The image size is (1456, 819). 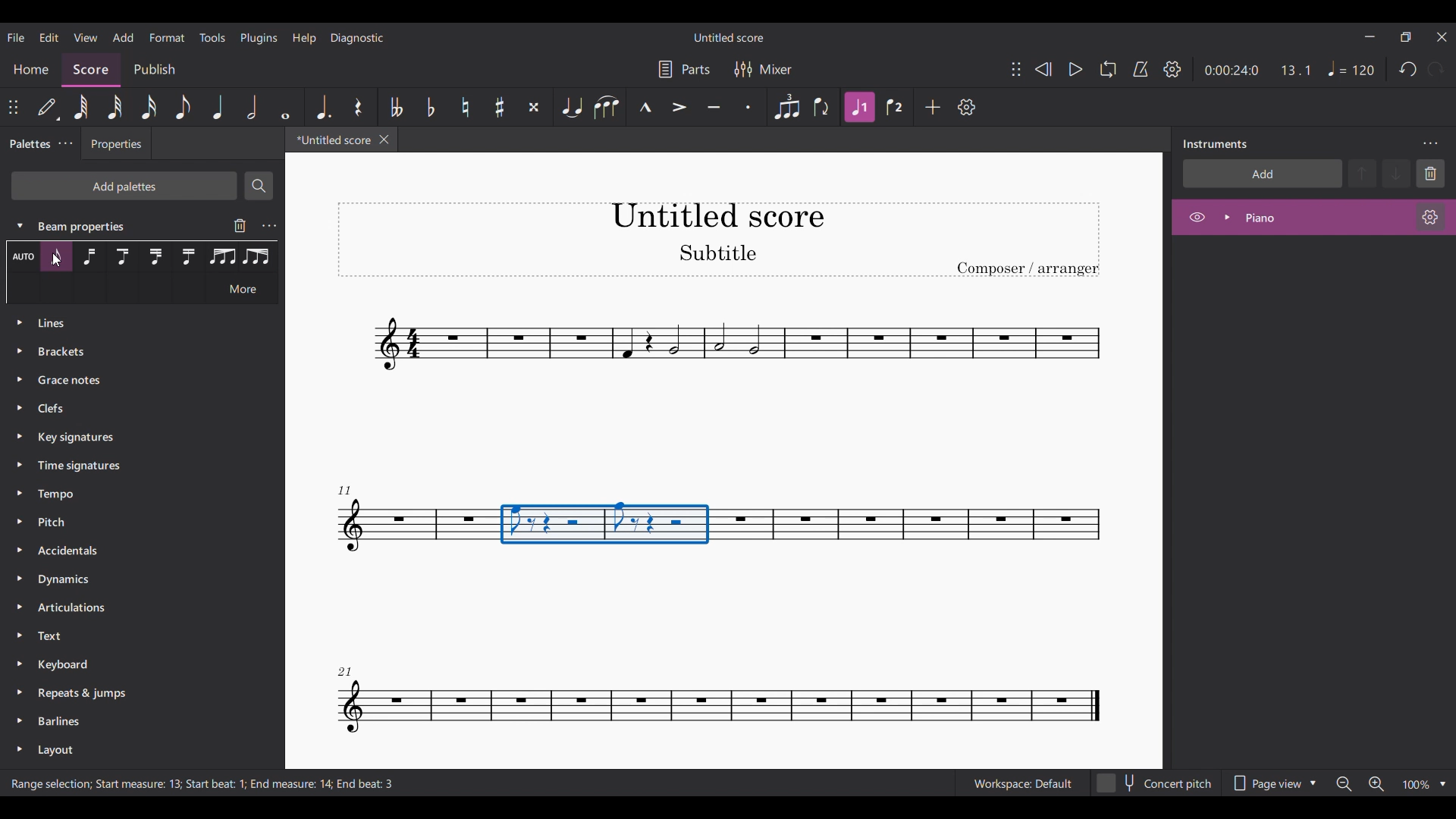 I want to click on Keyboard, so click(x=129, y=663).